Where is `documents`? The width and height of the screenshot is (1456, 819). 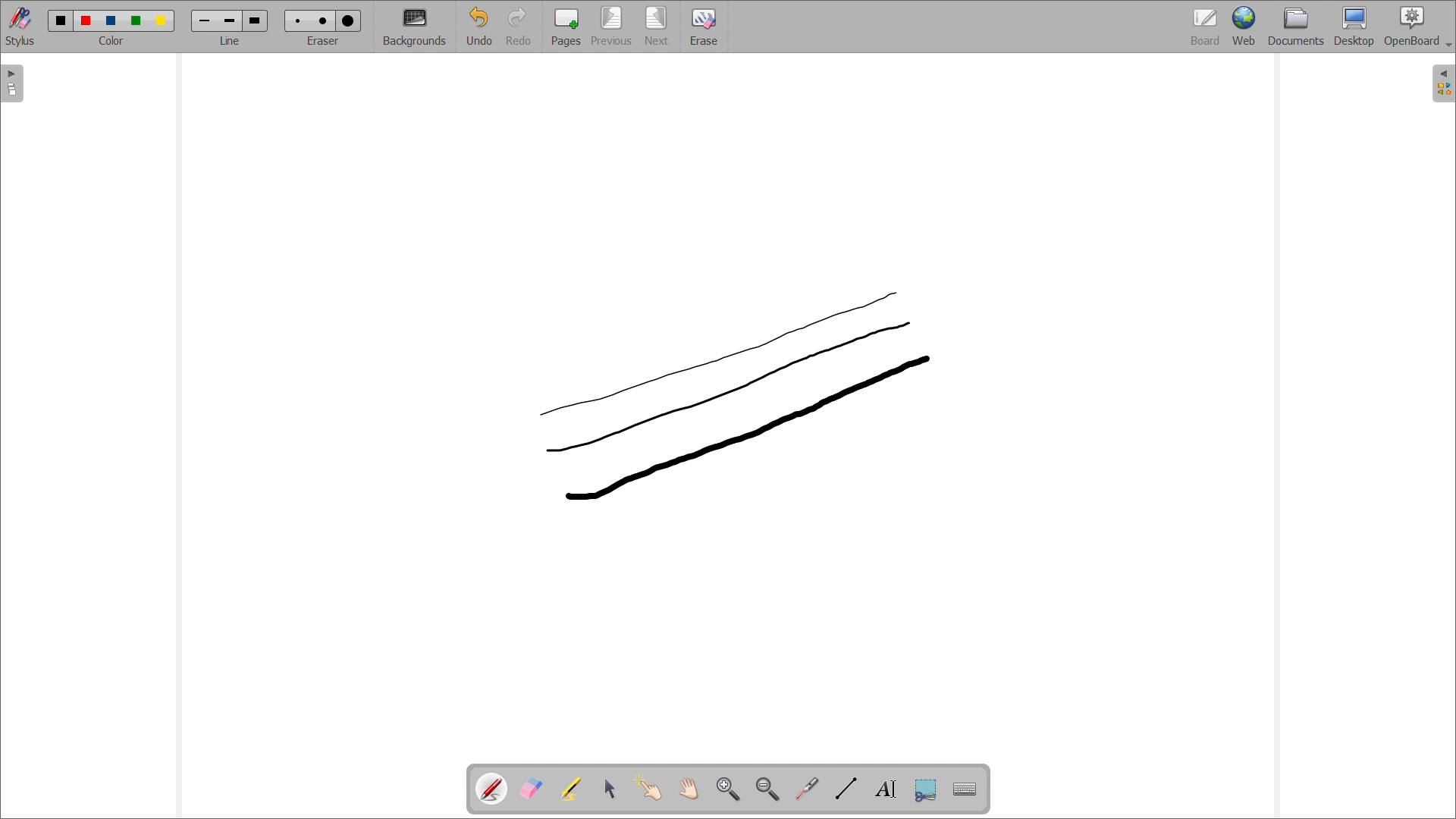 documents is located at coordinates (1296, 27).